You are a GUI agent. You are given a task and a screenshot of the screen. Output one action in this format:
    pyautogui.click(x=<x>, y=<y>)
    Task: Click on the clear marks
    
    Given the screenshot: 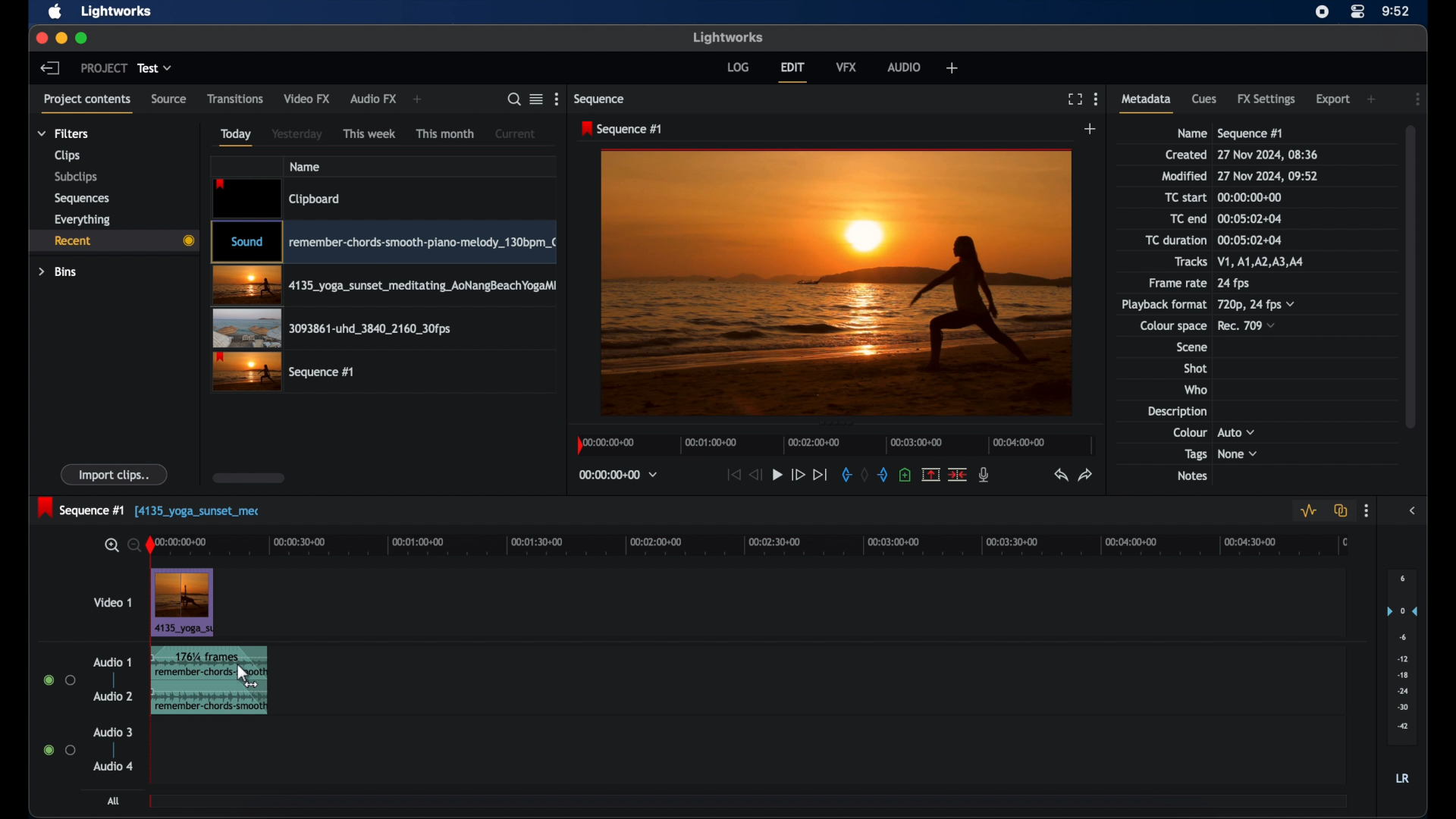 What is the action you would take?
    pyautogui.click(x=864, y=475)
    